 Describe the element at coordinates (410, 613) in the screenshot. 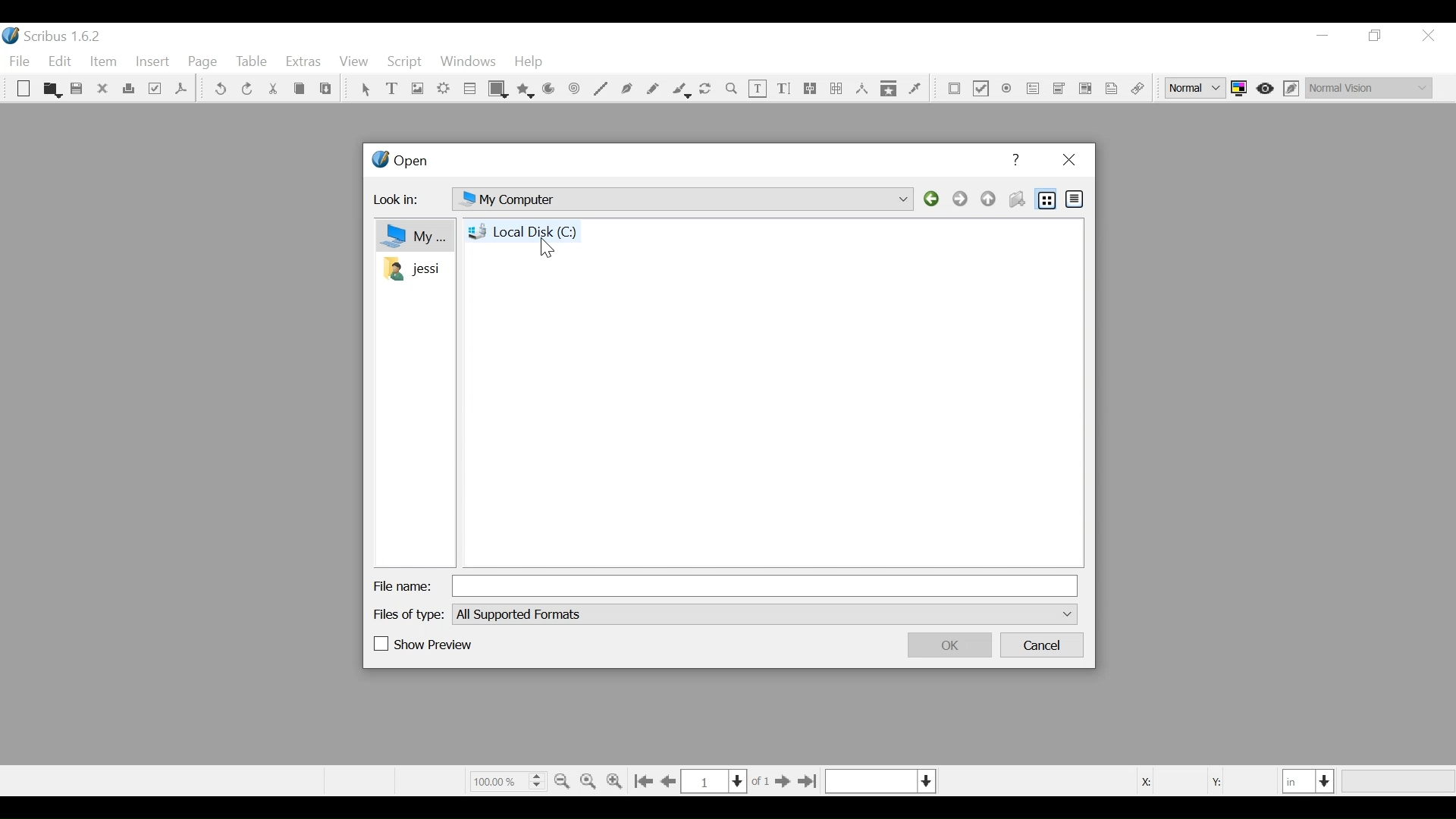

I see `Files of Type` at that location.